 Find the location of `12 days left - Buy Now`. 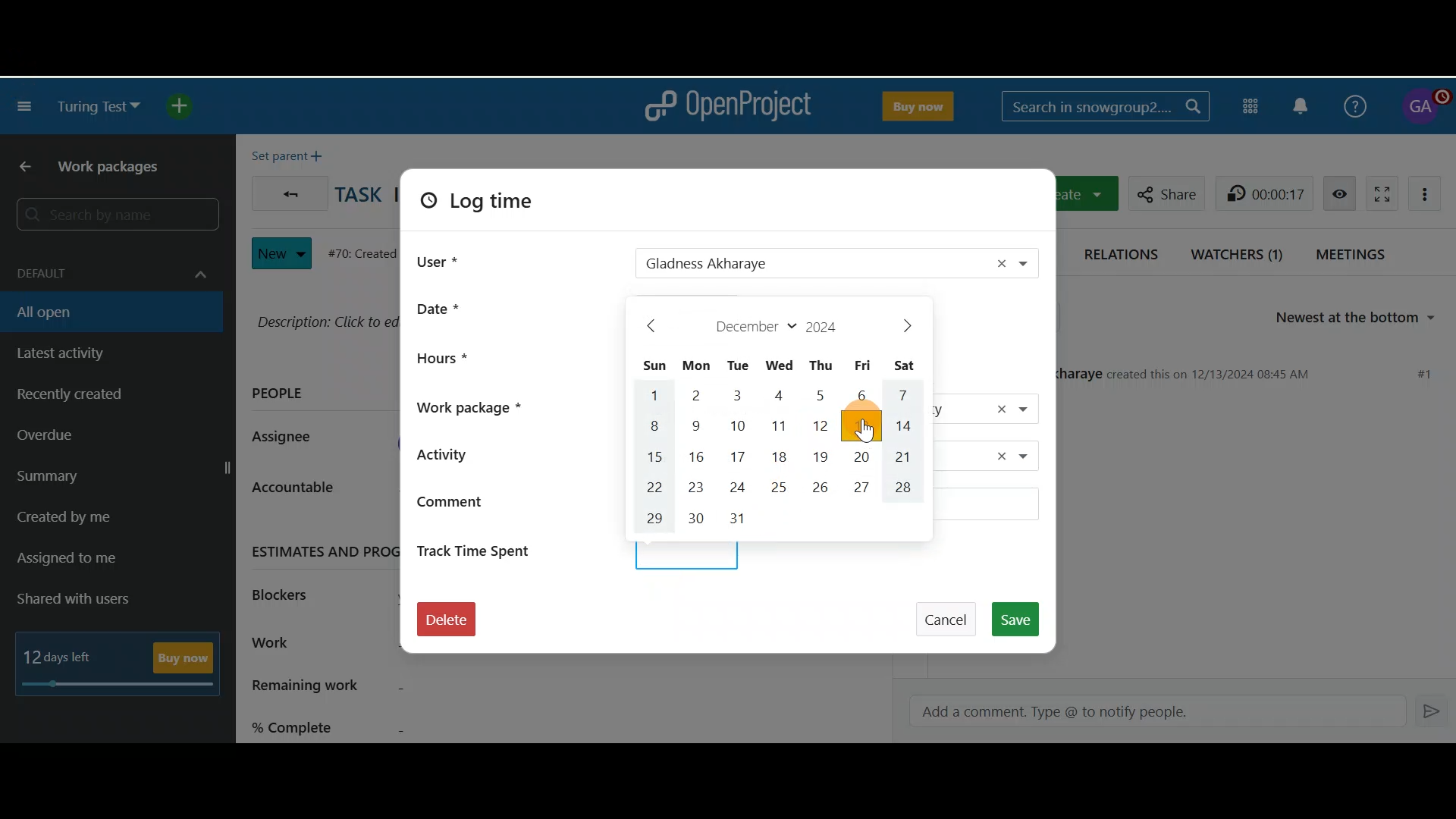

12 days left - Buy Now is located at coordinates (123, 660).